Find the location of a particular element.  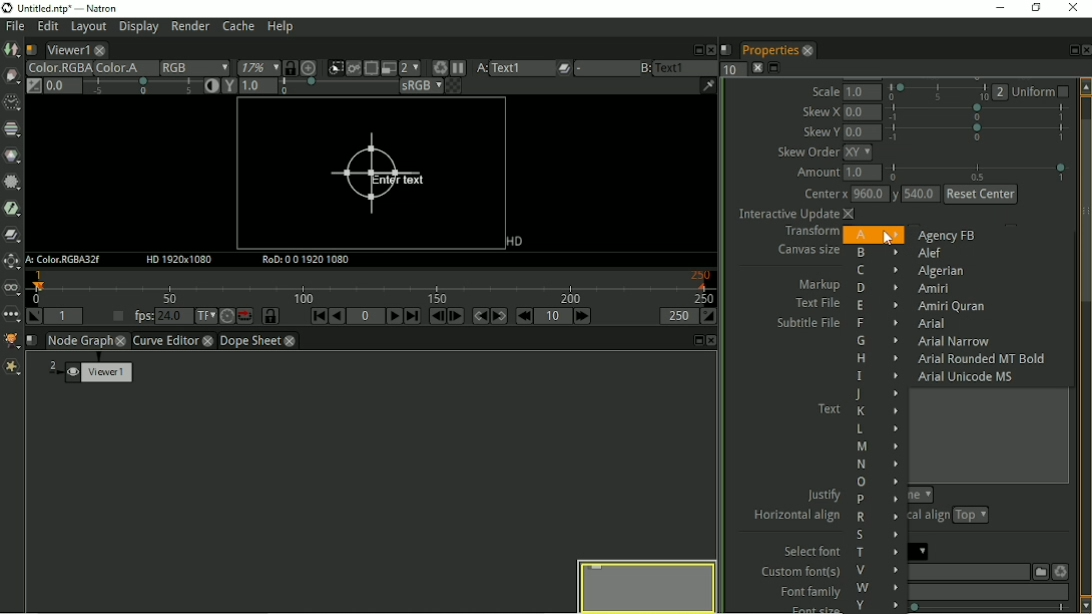

Transform is located at coordinates (11, 262).